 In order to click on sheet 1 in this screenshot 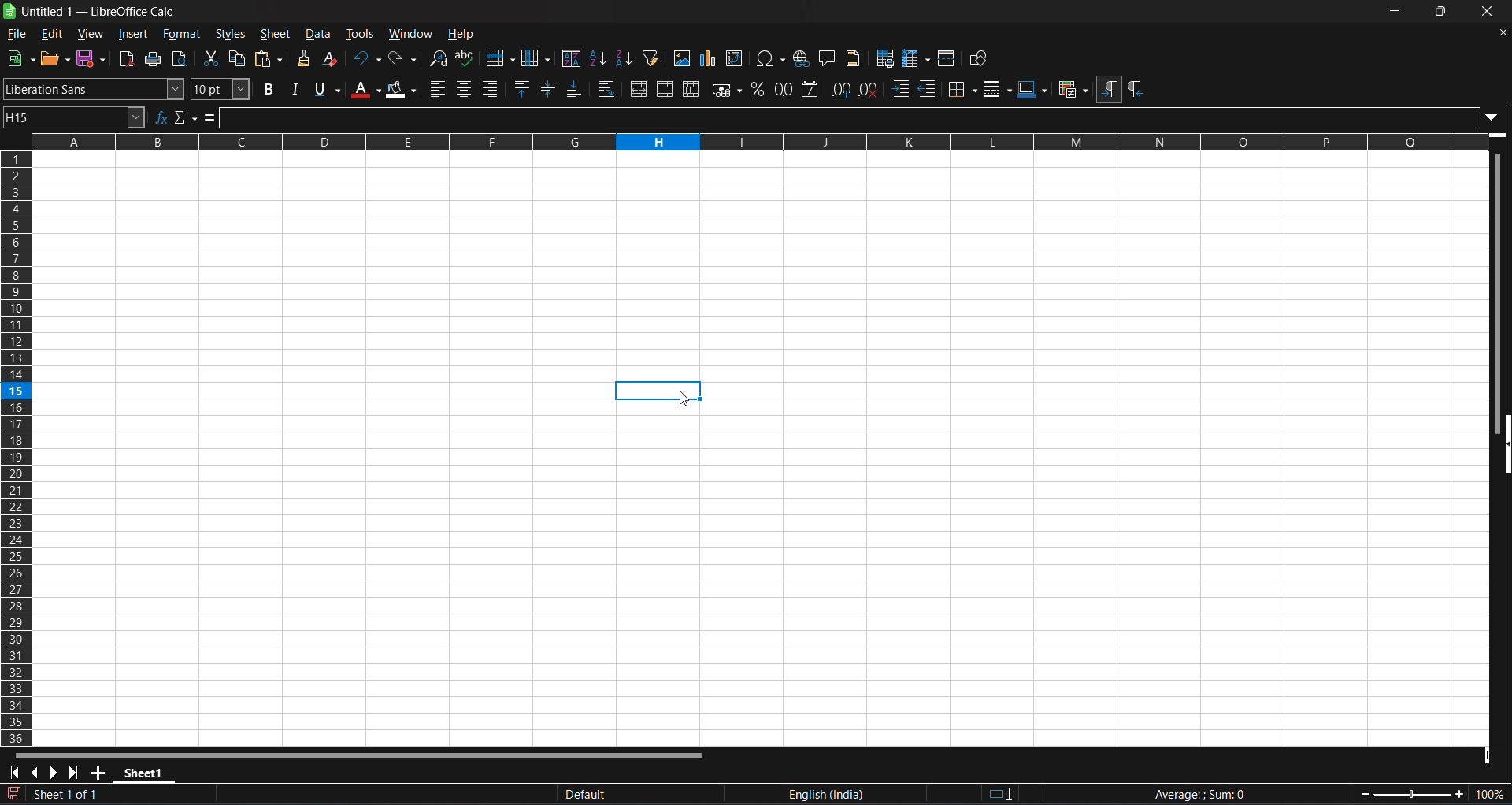, I will do `click(149, 773)`.